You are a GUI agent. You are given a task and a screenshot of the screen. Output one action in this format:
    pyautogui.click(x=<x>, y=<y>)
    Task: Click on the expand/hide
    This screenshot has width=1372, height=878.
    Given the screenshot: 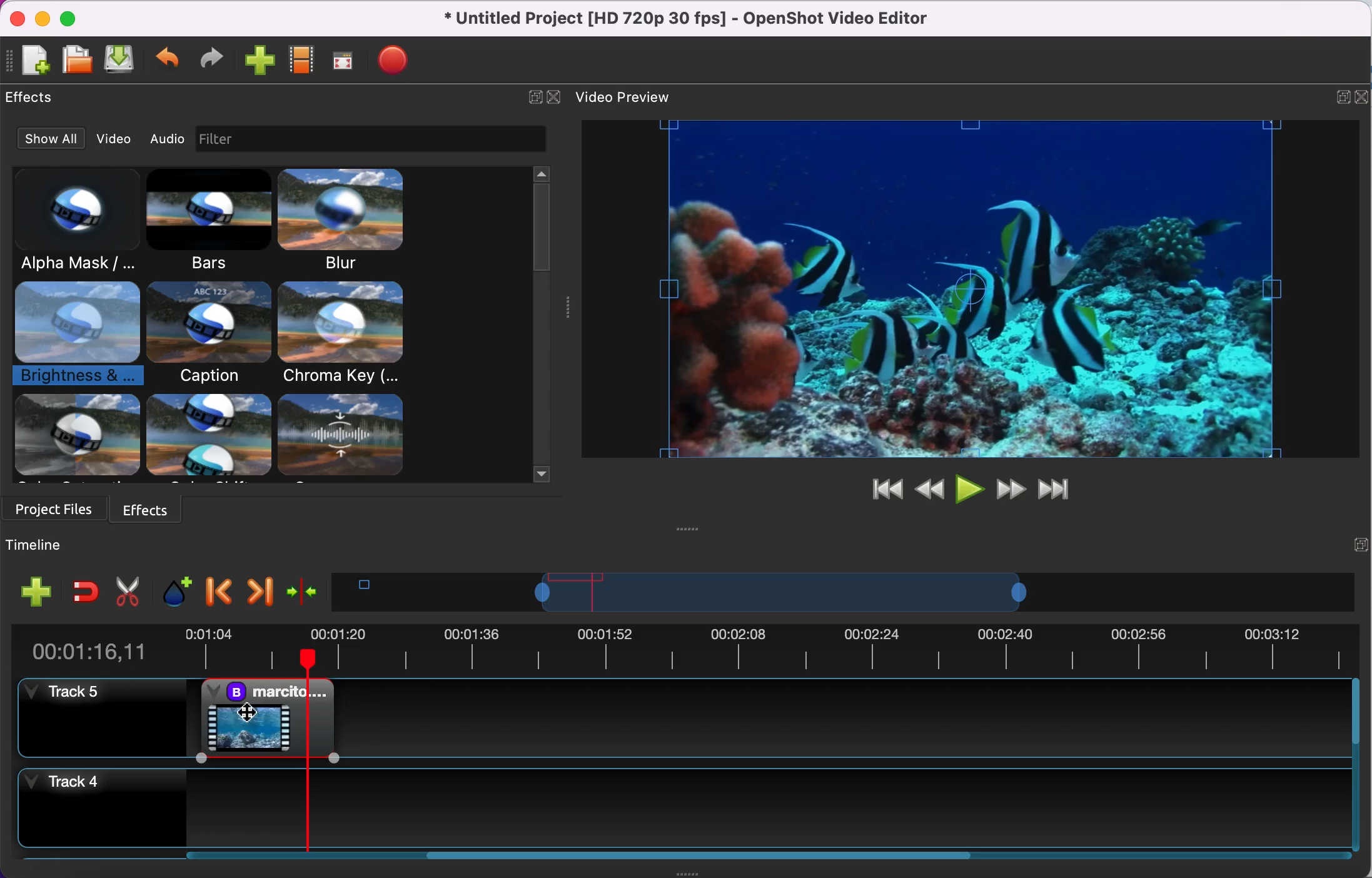 What is the action you would take?
    pyautogui.click(x=1340, y=96)
    